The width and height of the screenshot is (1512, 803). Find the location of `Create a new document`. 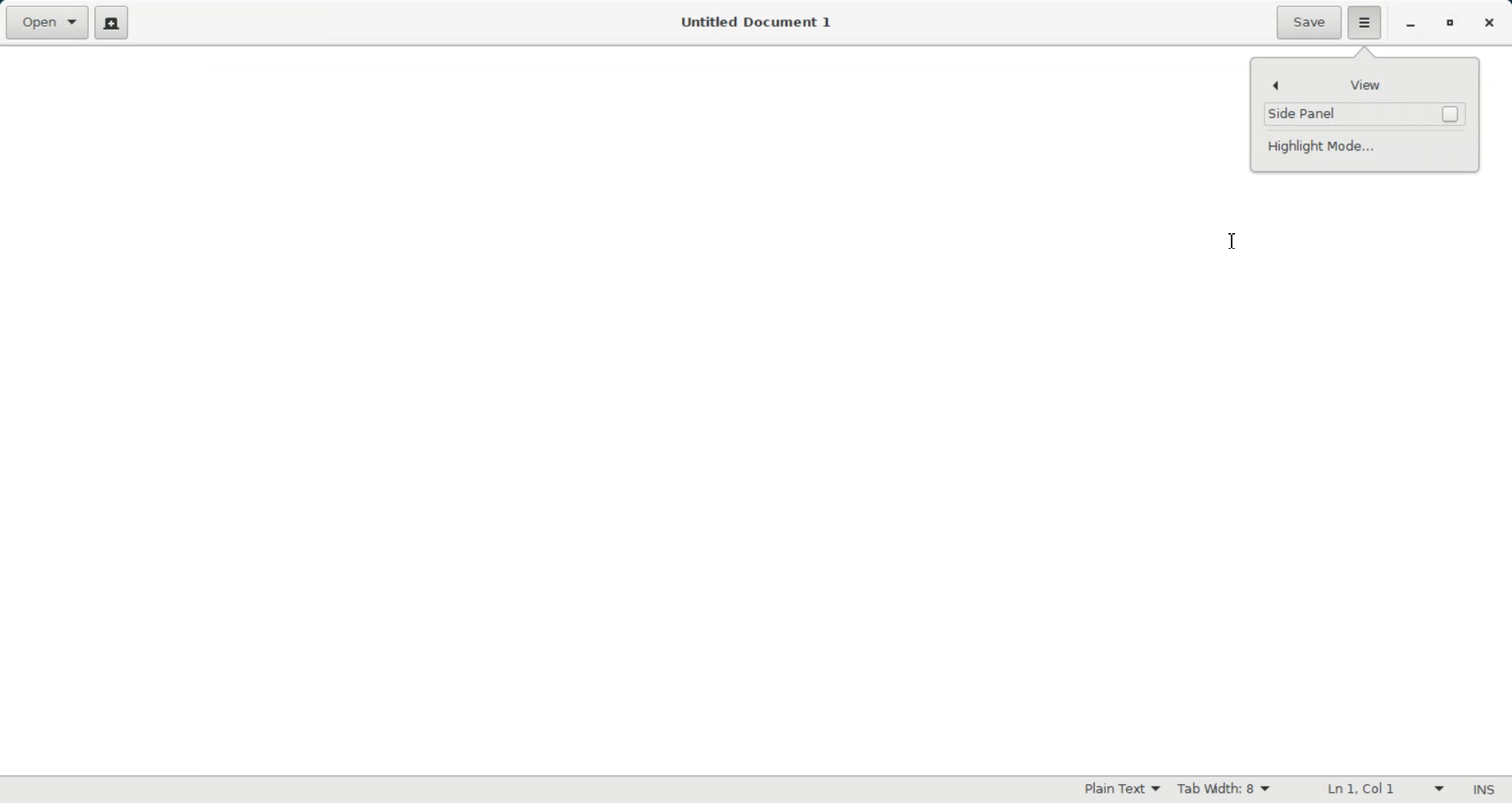

Create a new document is located at coordinates (114, 21).